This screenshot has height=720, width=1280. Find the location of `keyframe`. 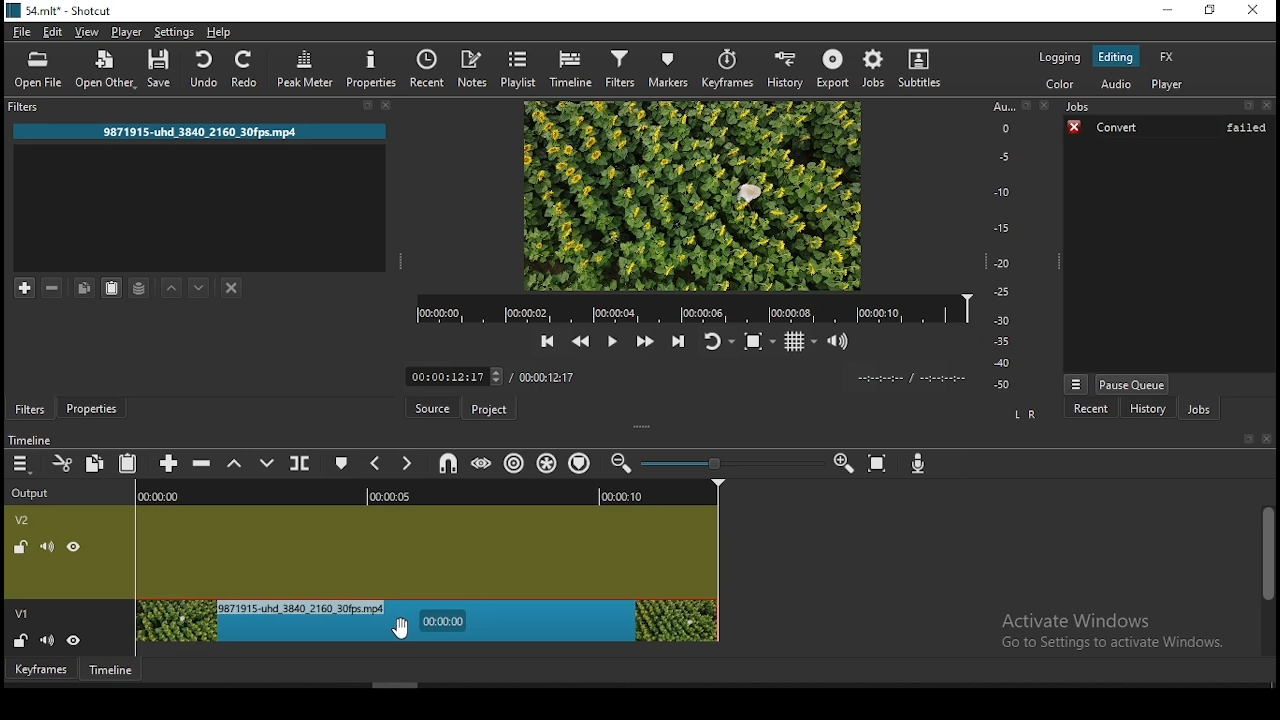

keyframe is located at coordinates (42, 670).